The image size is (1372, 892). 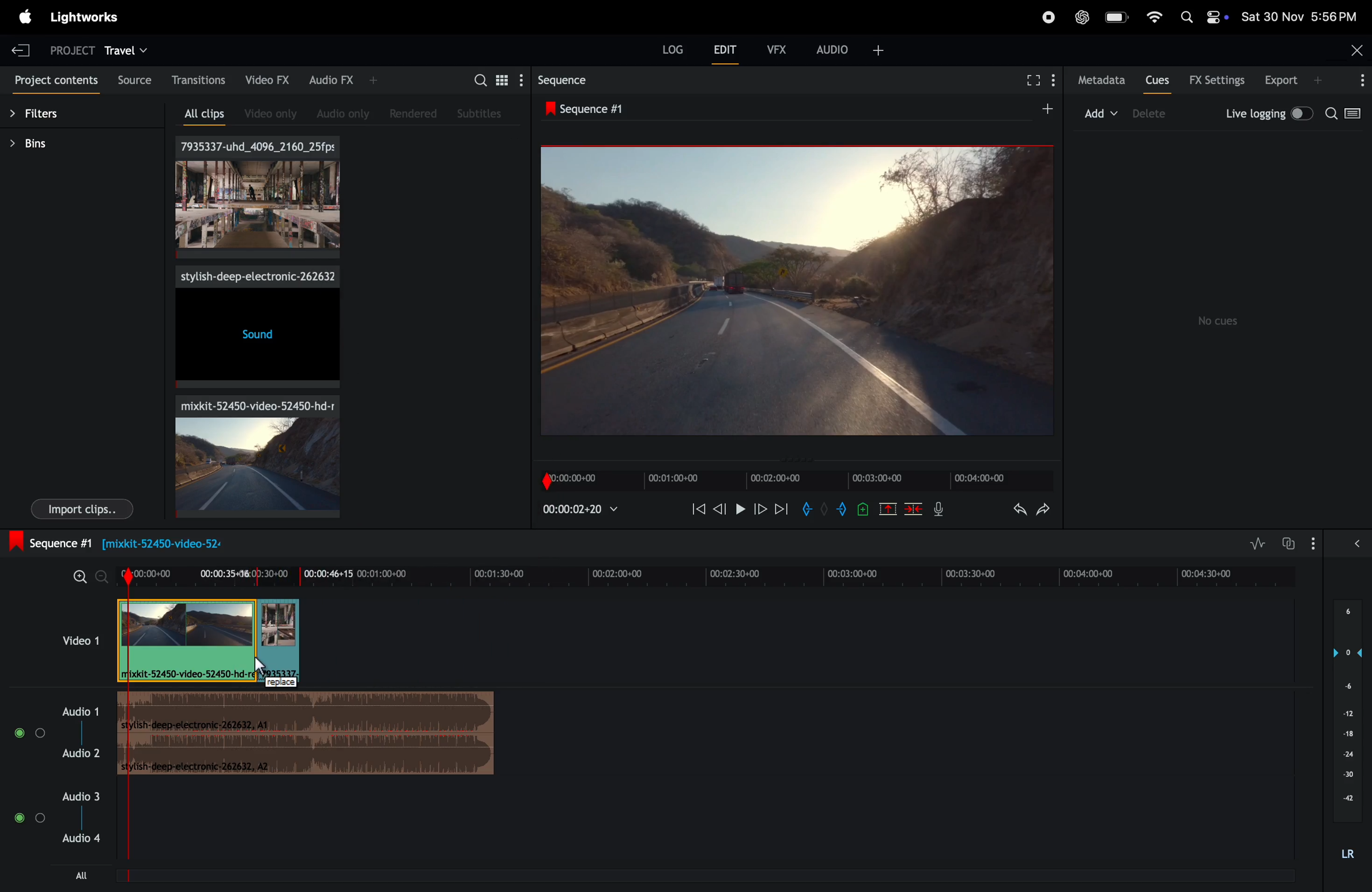 What do you see at coordinates (1203, 17) in the screenshot?
I see `apple widgets` at bounding box center [1203, 17].